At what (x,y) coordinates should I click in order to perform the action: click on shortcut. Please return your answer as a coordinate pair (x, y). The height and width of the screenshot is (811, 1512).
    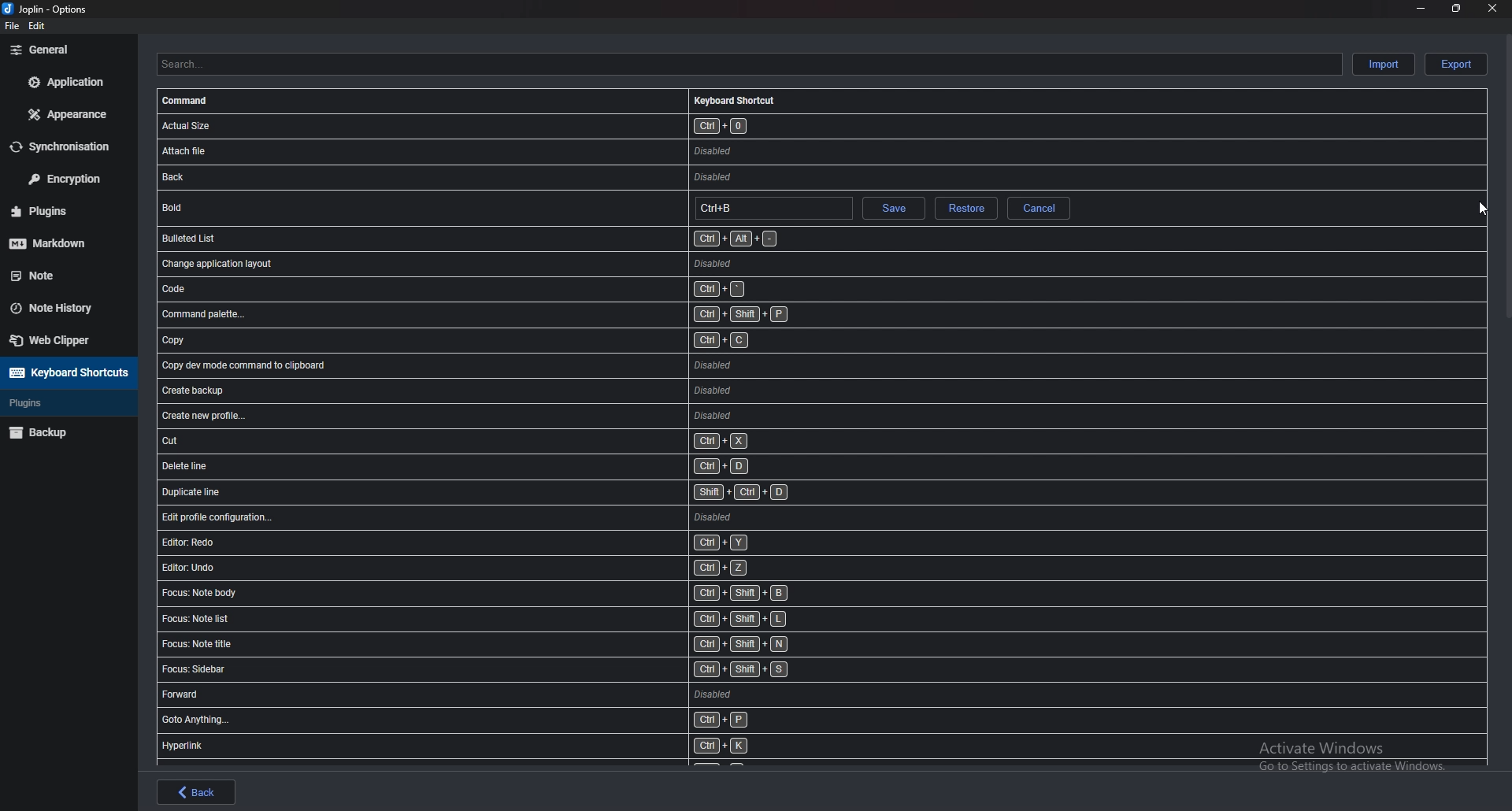
    Looking at the image, I should click on (478, 288).